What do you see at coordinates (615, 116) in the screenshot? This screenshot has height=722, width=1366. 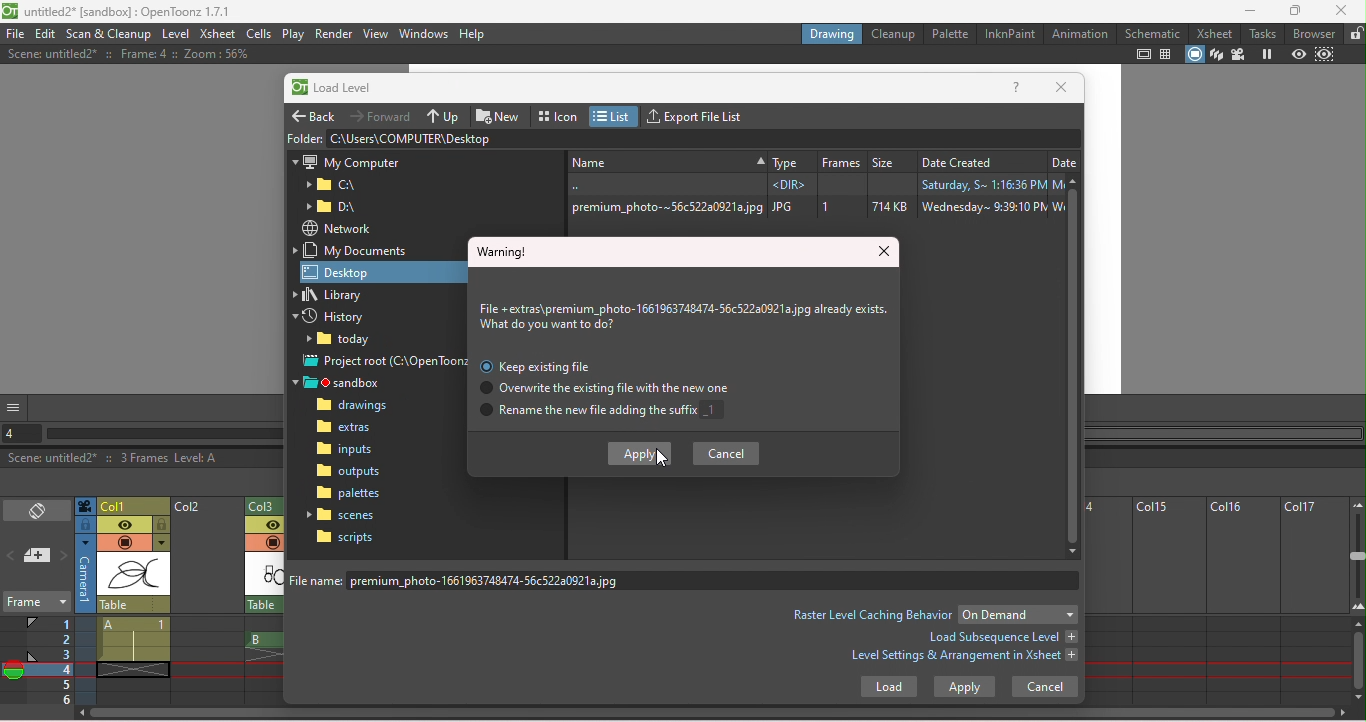 I see `List` at bounding box center [615, 116].